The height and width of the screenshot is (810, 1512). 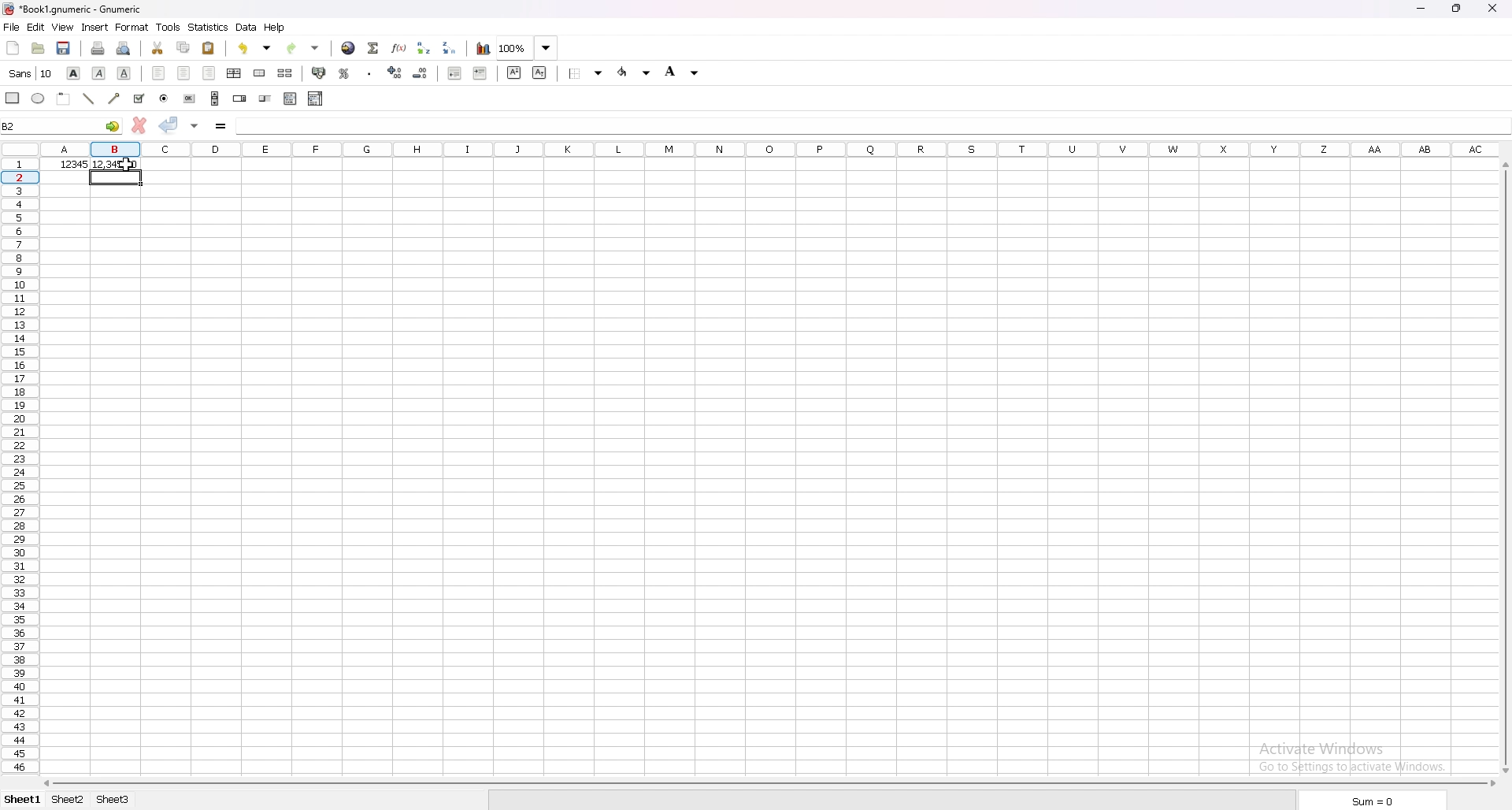 What do you see at coordinates (208, 27) in the screenshot?
I see `statistics` at bounding box center [208, 27].